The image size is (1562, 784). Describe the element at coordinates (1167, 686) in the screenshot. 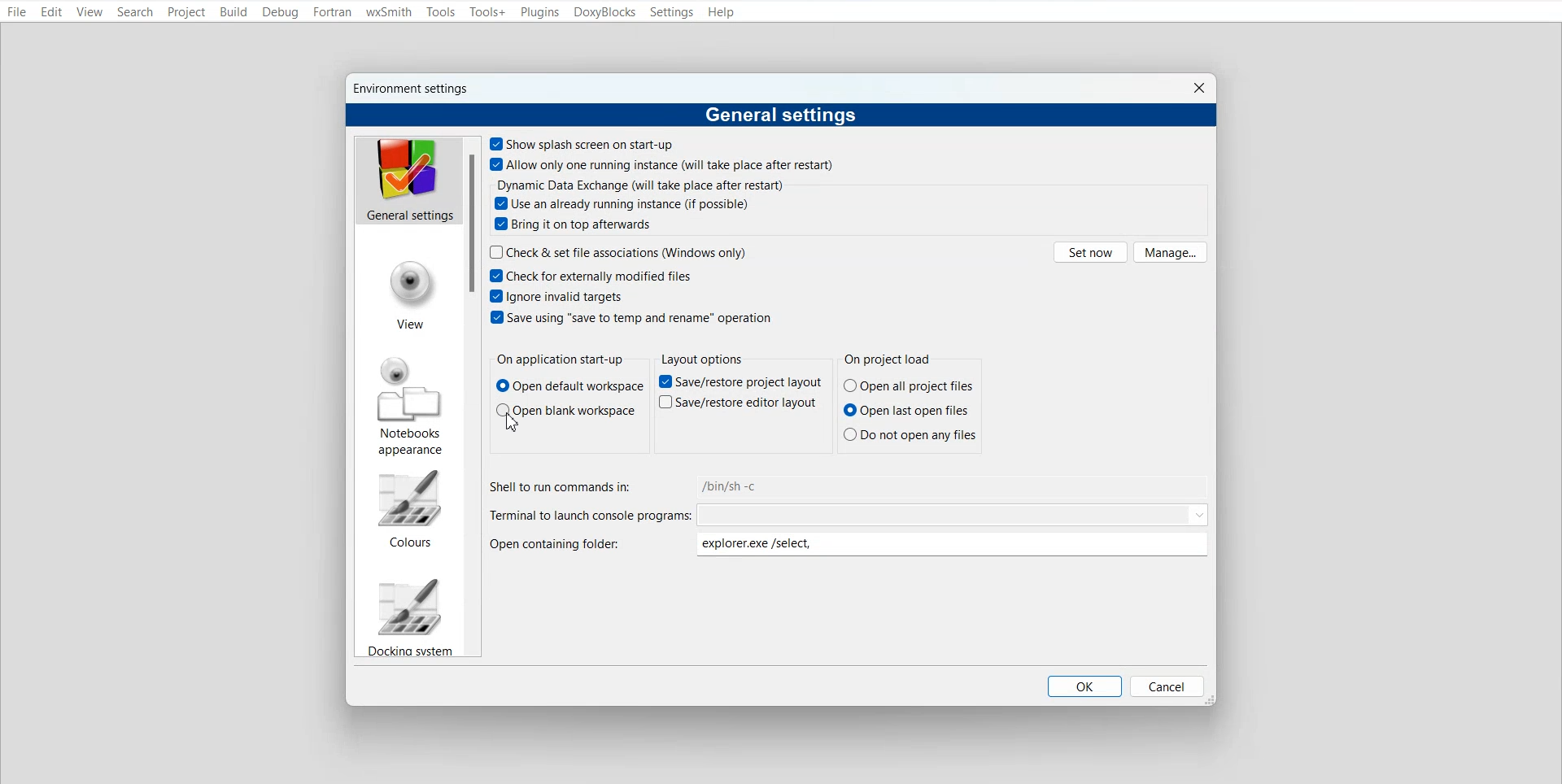

I see `Cancel` at that location.